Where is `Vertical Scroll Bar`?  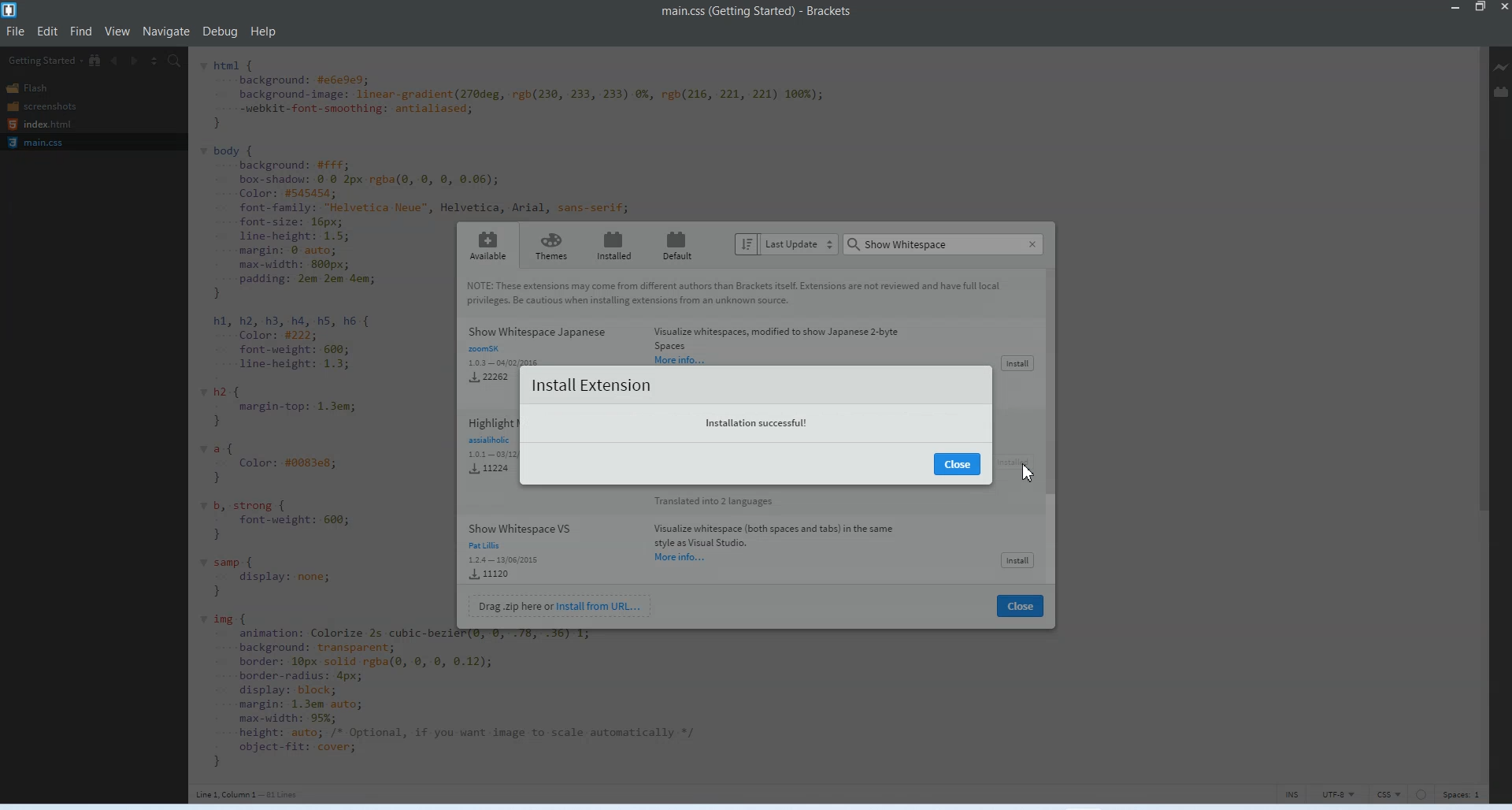
Vertical Scroll Bar is located at coordinates (1051, 426).